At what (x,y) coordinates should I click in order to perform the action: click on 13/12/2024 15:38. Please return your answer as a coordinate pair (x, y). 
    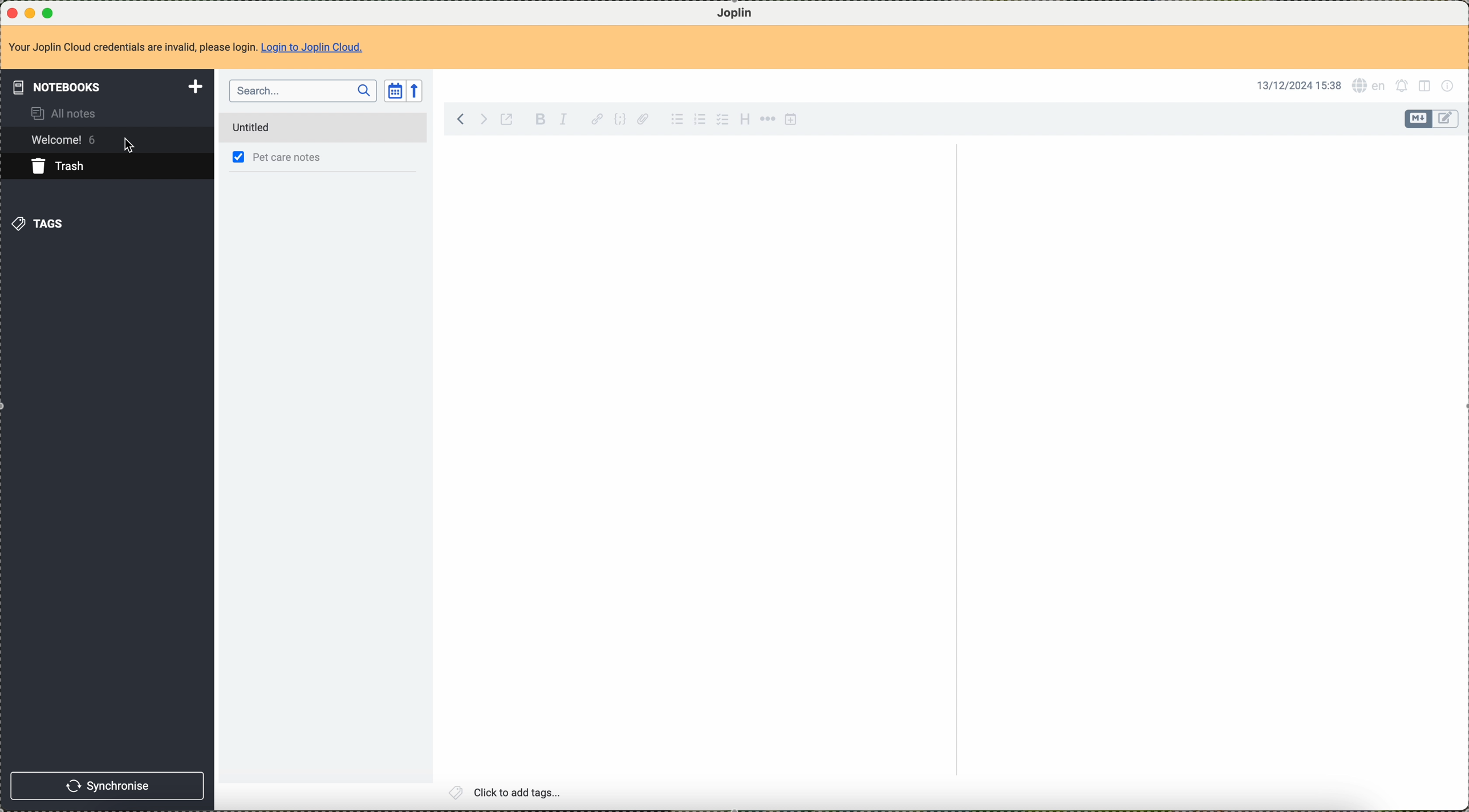
    Looking at the image, I should click on (1300, 87).